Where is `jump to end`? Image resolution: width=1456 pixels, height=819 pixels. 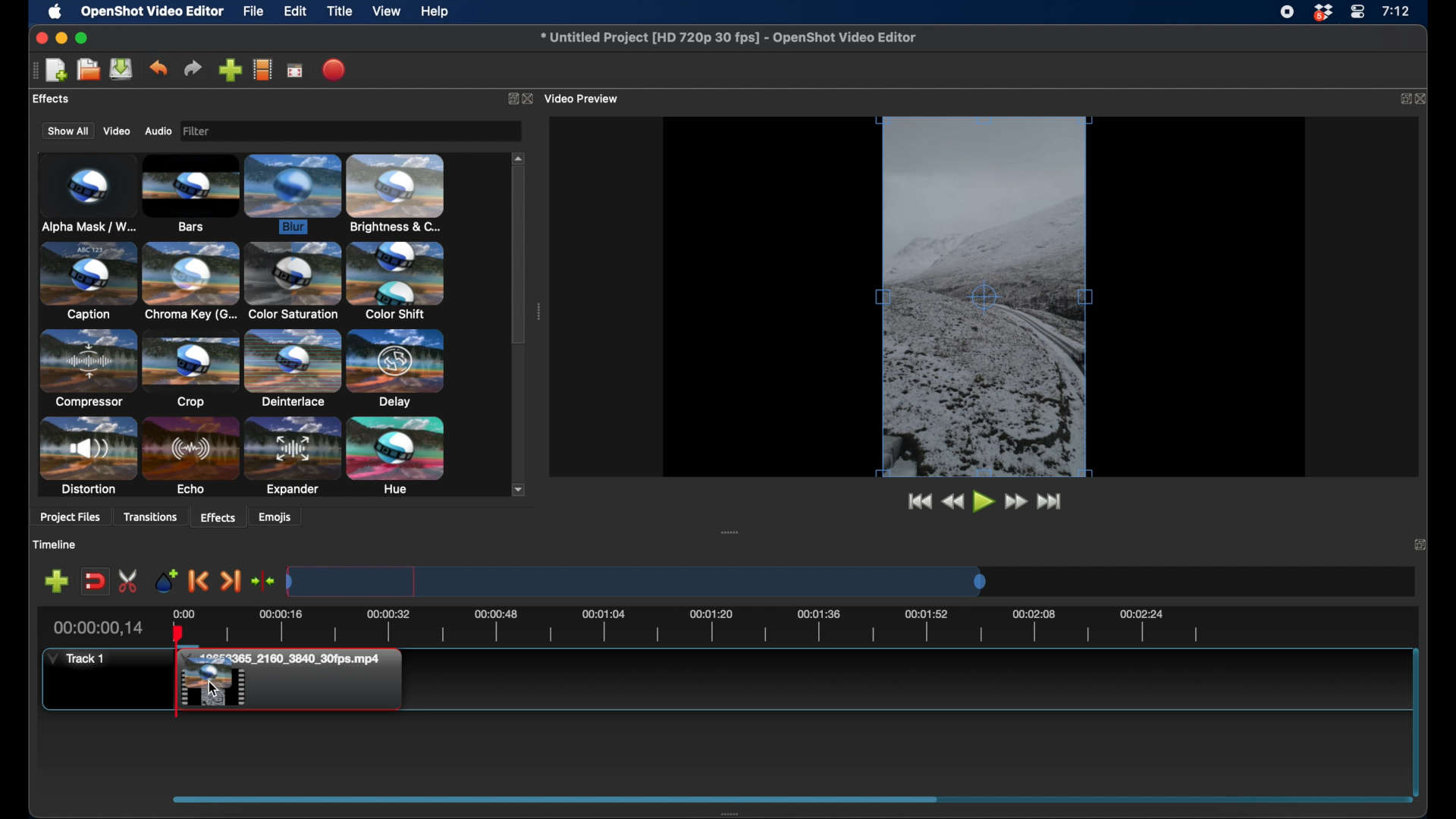
jump to end is located at coordinates (1052, 502).